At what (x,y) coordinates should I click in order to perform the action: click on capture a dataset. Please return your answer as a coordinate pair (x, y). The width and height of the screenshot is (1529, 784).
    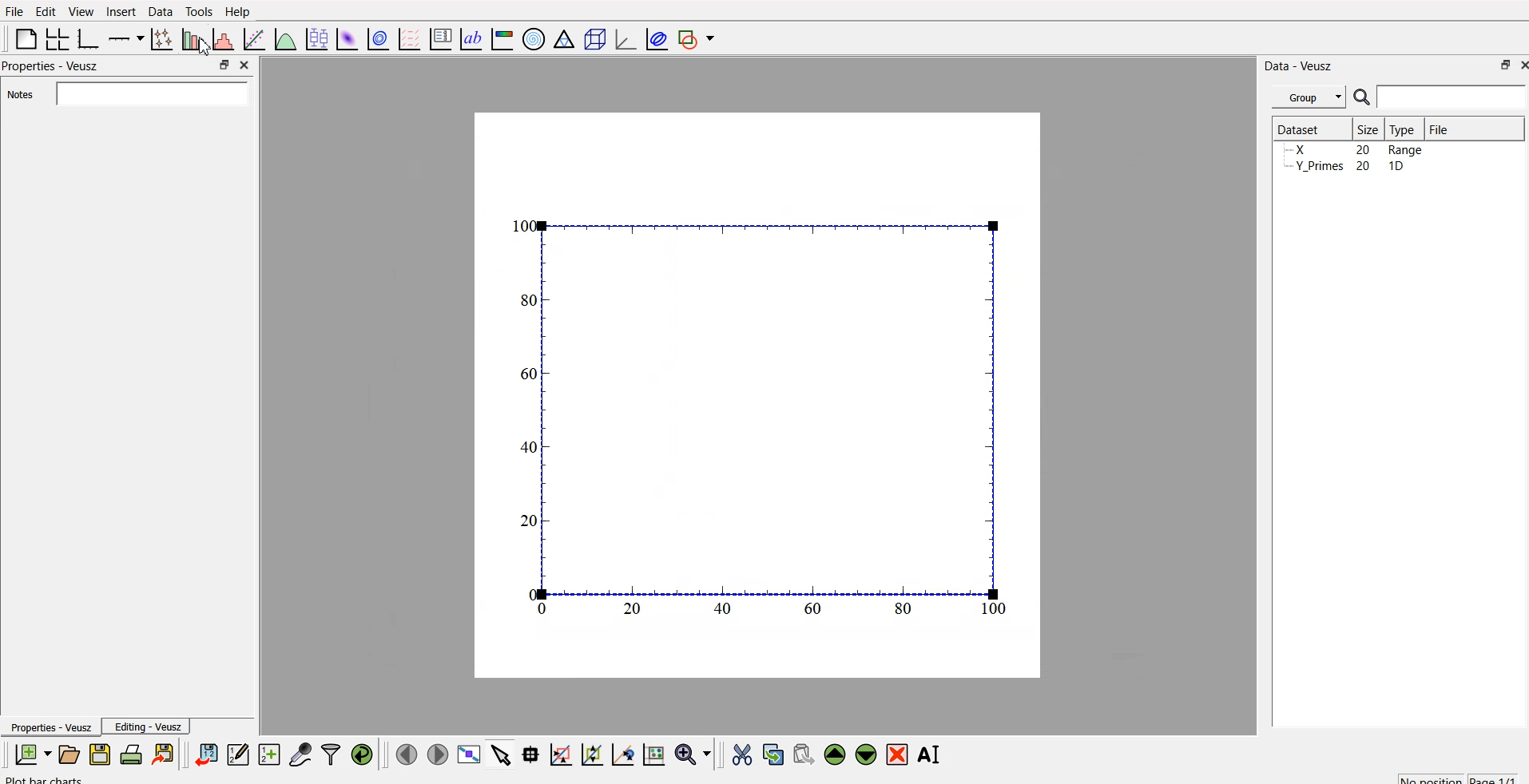
    Looking at the image, I should click on (300, 754).